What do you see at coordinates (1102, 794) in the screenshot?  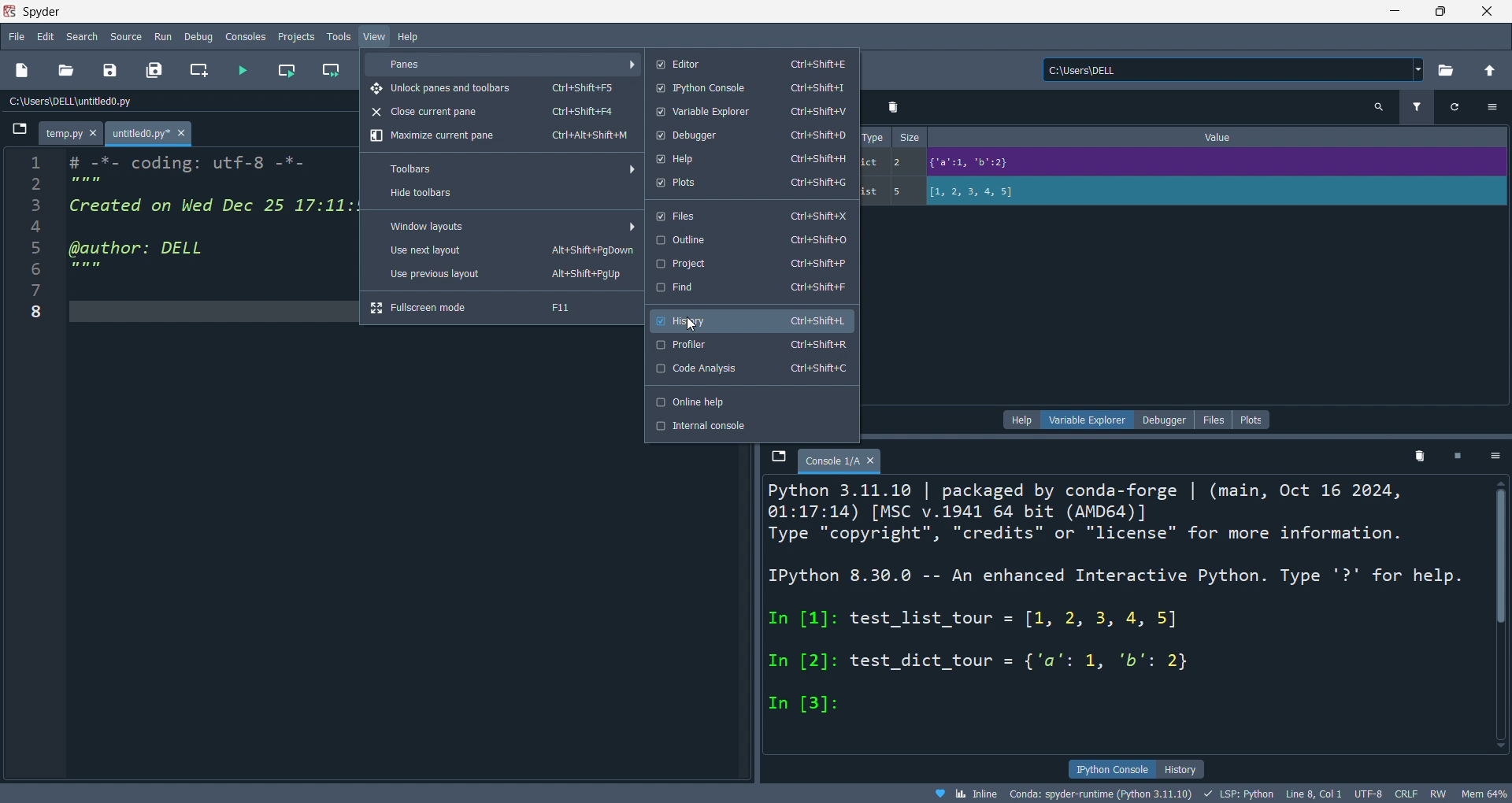 I see `interpreter` at bounding box center [1102, 794].